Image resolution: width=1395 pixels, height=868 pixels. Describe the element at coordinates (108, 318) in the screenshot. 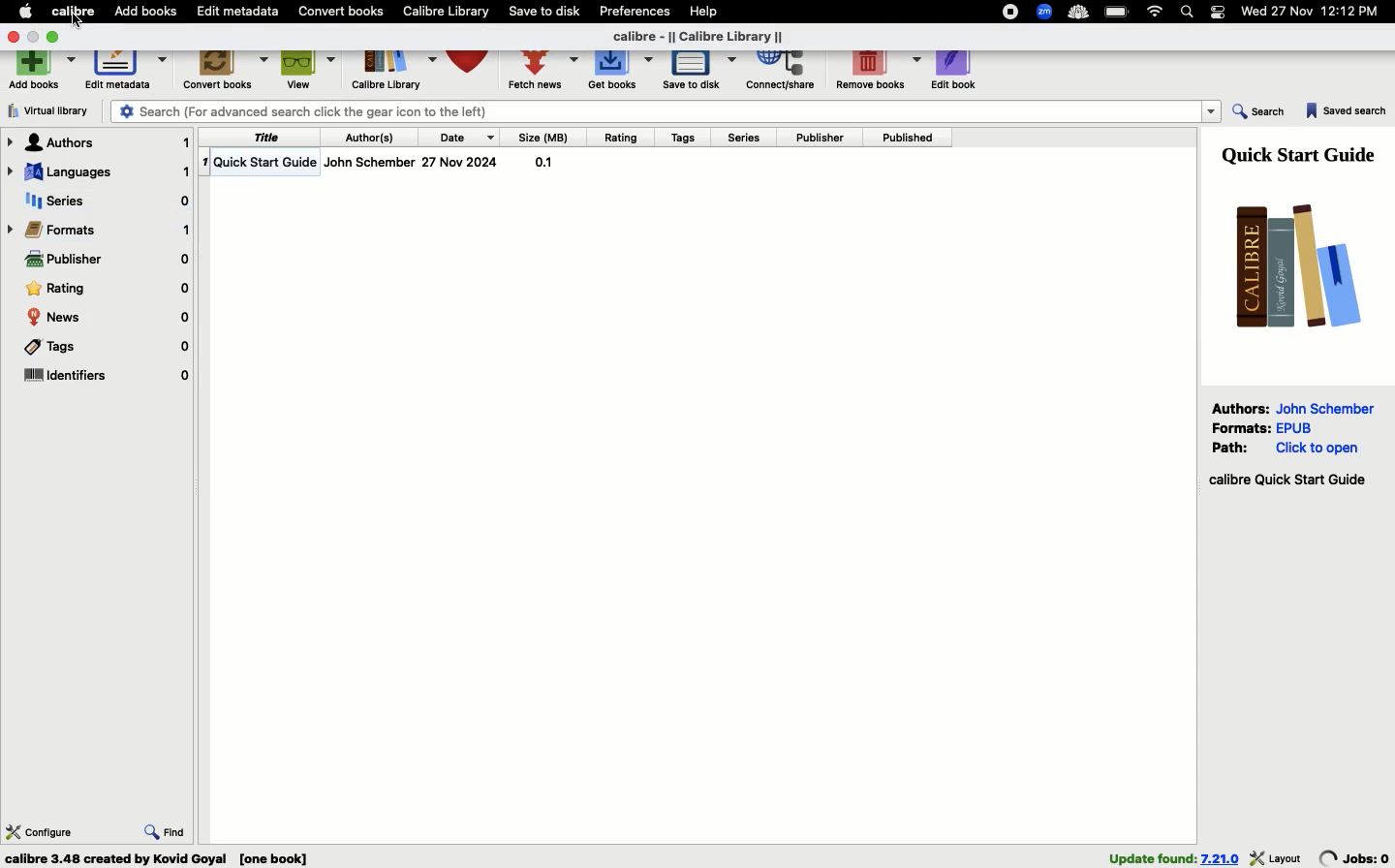

I see `News` at that location.